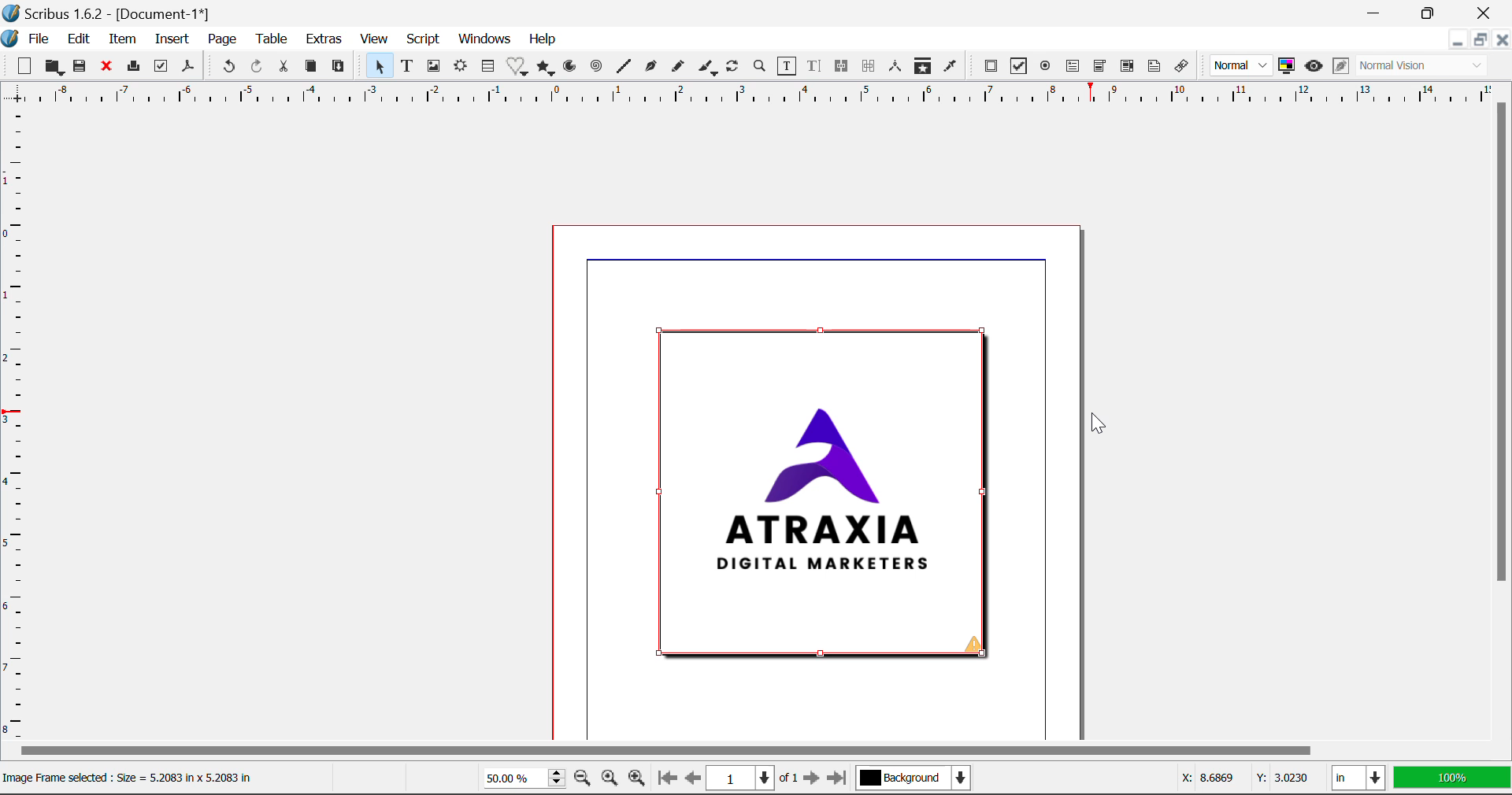 The height and width of the screenshot is (795, 1512). I want to click on Normal Vision, so click(1422, 65).